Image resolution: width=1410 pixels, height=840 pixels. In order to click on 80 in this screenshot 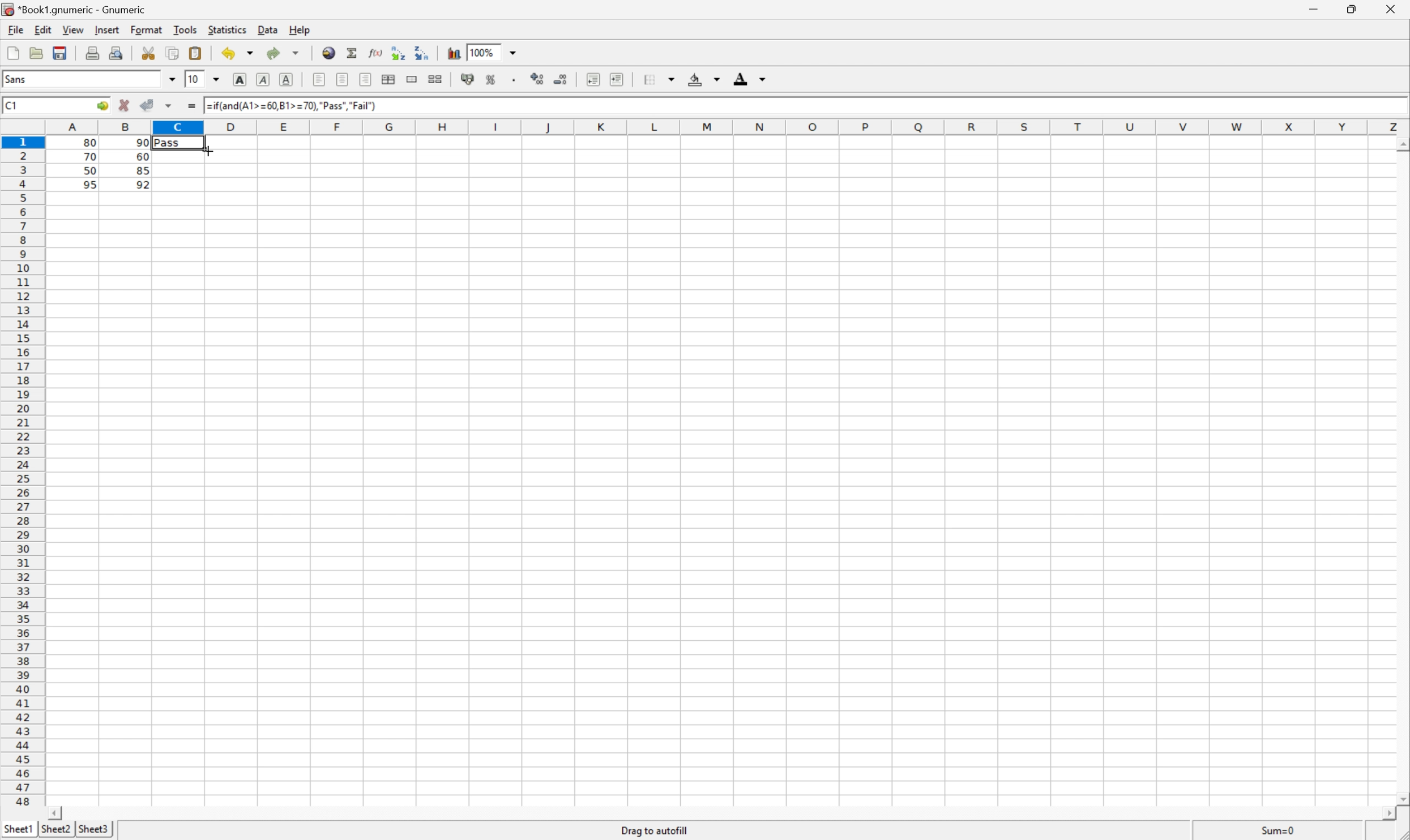, I will do `click(93, 140)`.